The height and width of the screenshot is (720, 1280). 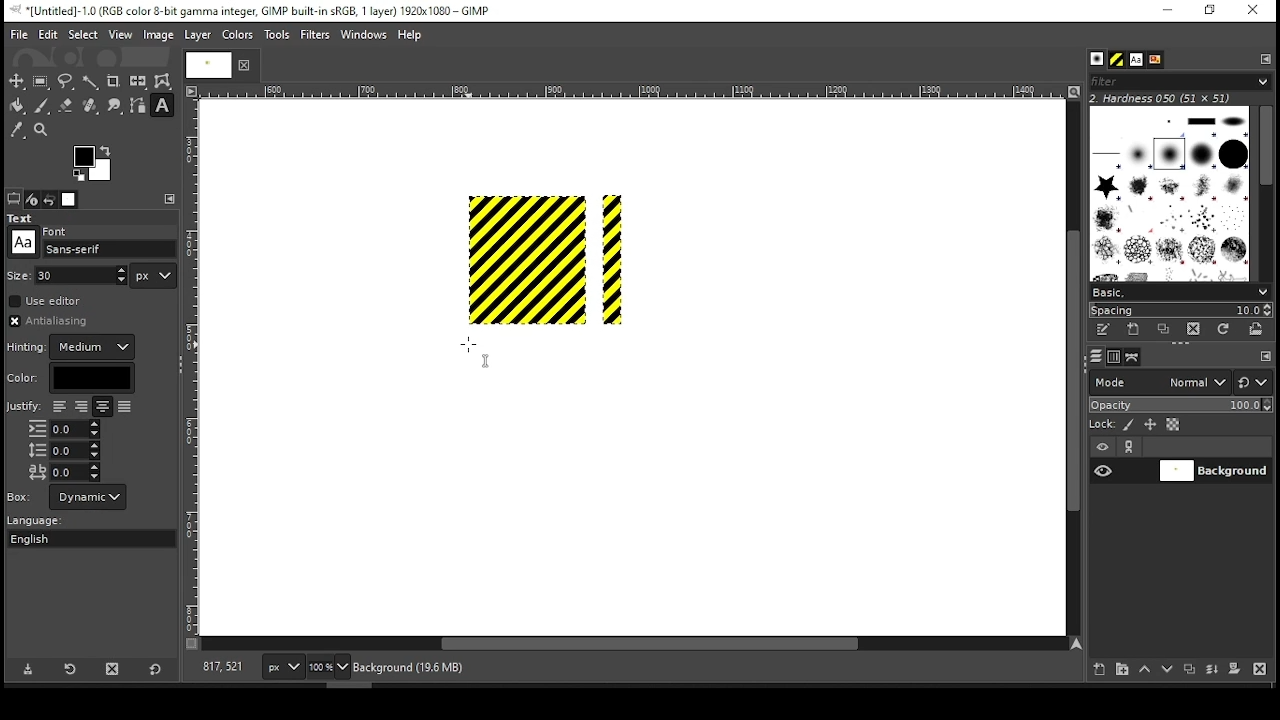 I want to click on document history, so click(x=1154, y=60).